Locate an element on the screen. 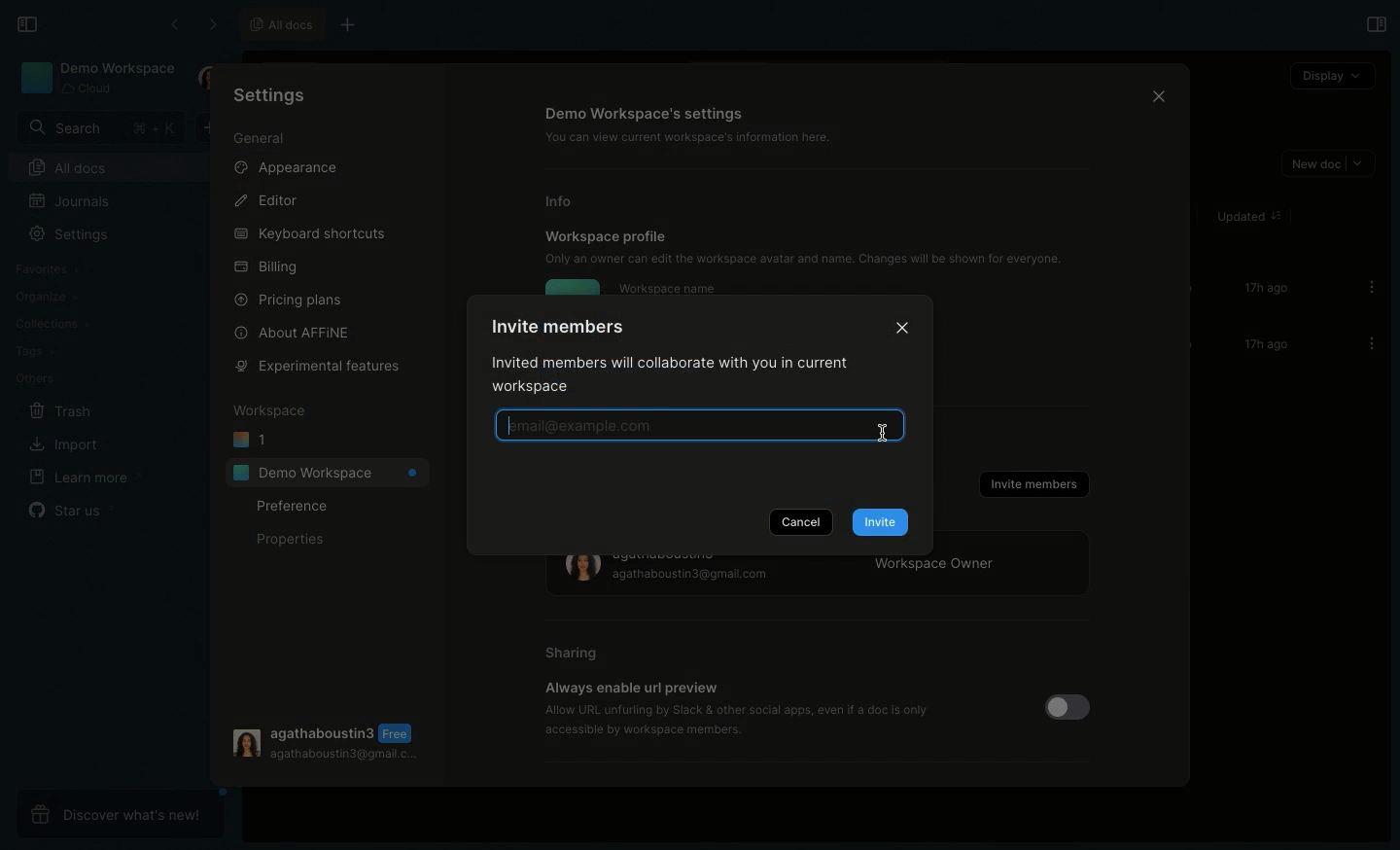 The height and width of the screenshot is (850, 1400). Trash is located at coordinates (57, 409).